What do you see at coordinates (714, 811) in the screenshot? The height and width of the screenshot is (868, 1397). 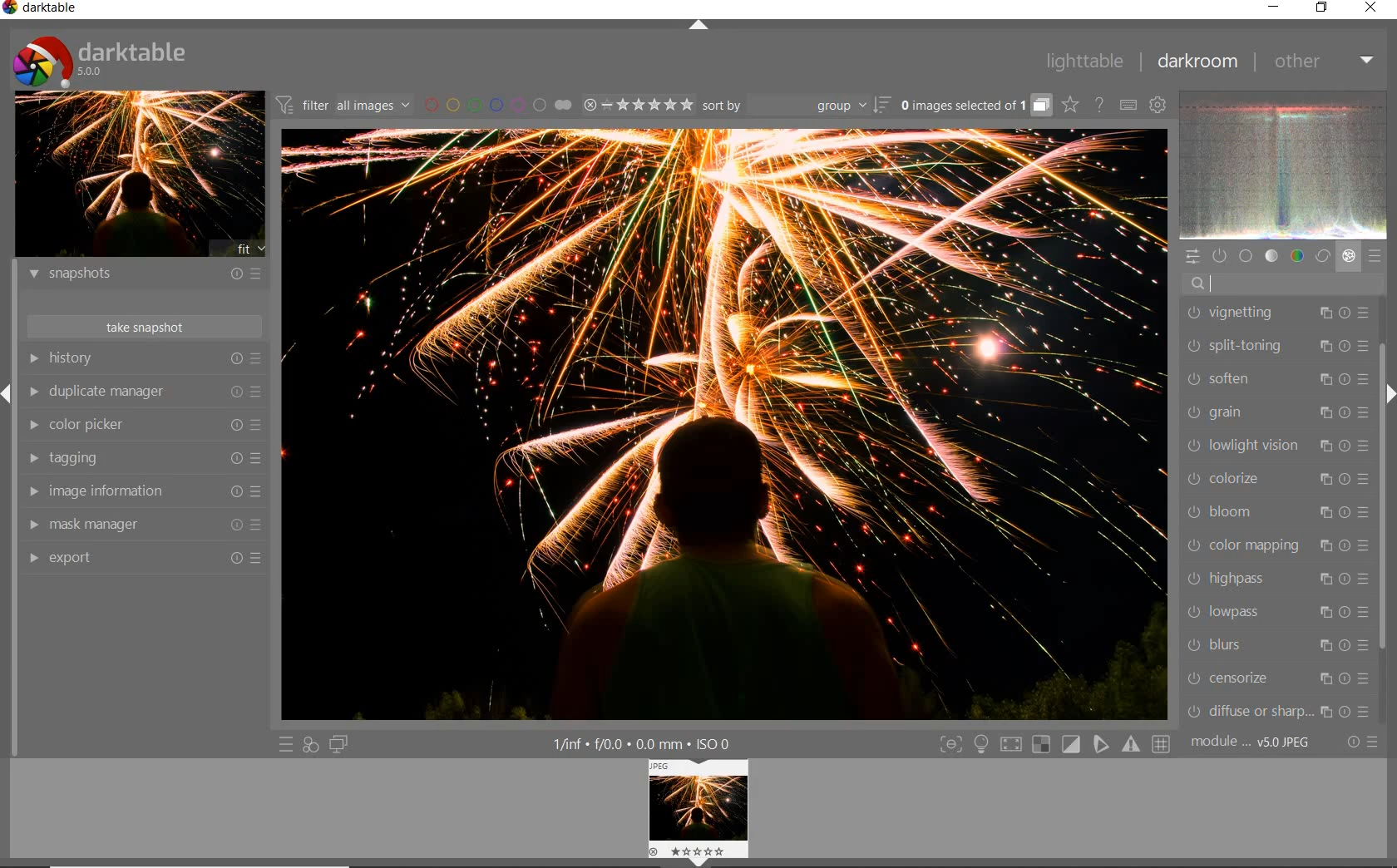 I see `Preview image` at bounding box center [714, 811].